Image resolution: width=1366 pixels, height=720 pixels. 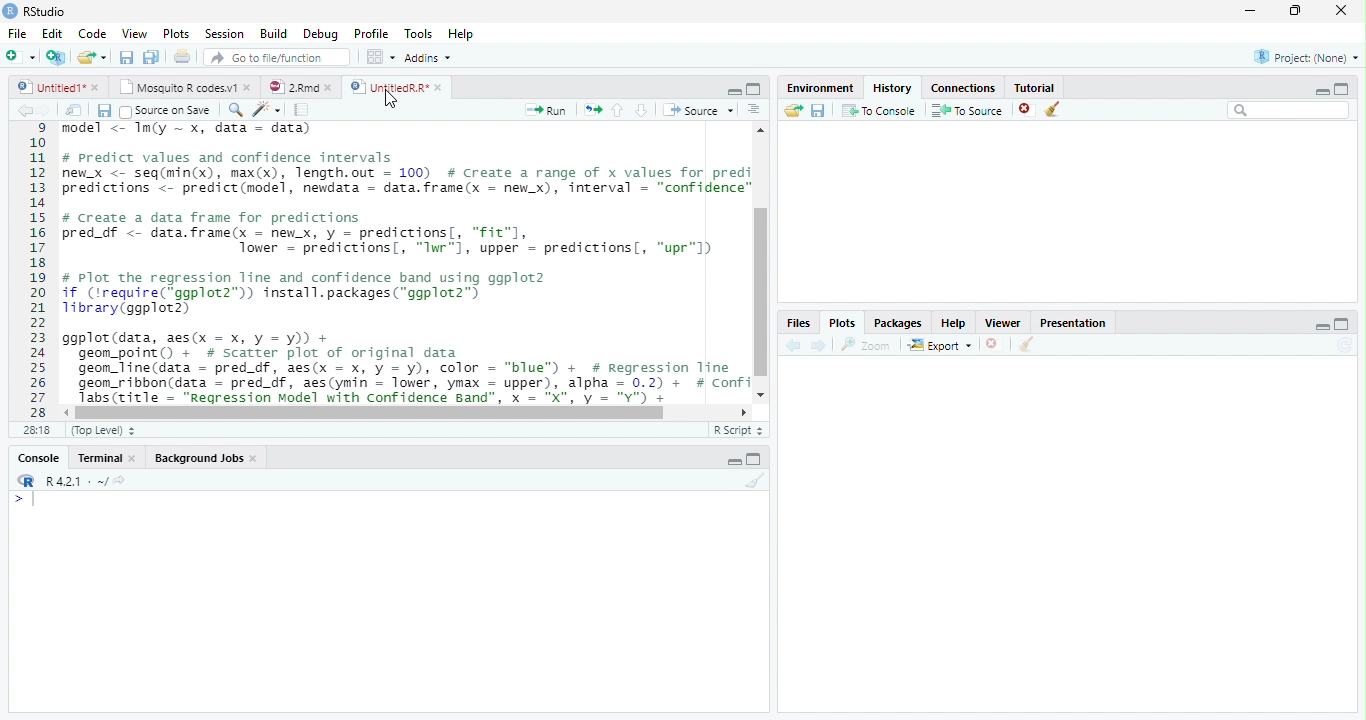 What do you see at coordinates (1320, 329) in the screenshot?
I see `minimize` at bounding box center [1320, 329].